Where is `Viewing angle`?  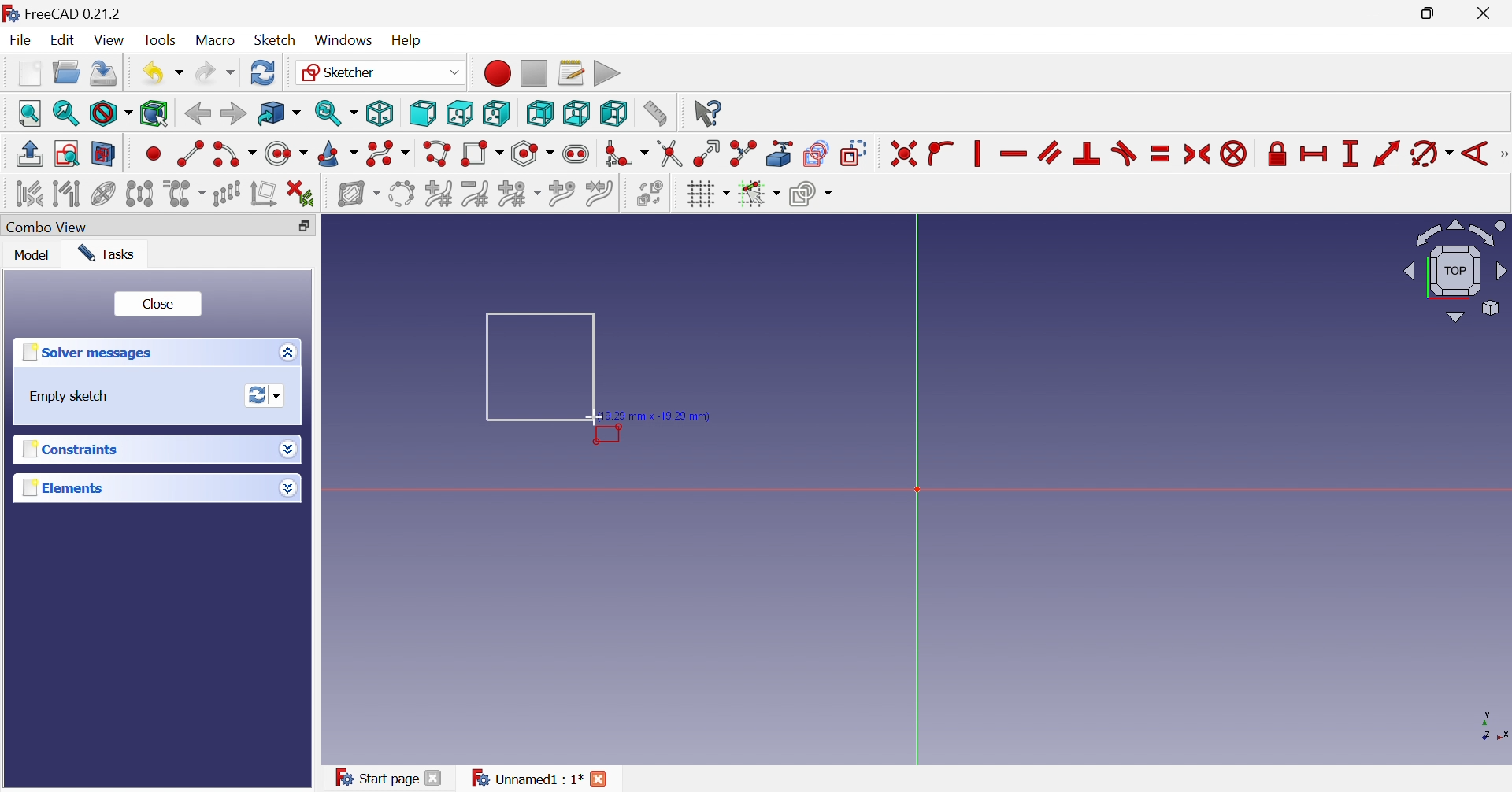 Viewing angle is located at coordinates (1456, 272).